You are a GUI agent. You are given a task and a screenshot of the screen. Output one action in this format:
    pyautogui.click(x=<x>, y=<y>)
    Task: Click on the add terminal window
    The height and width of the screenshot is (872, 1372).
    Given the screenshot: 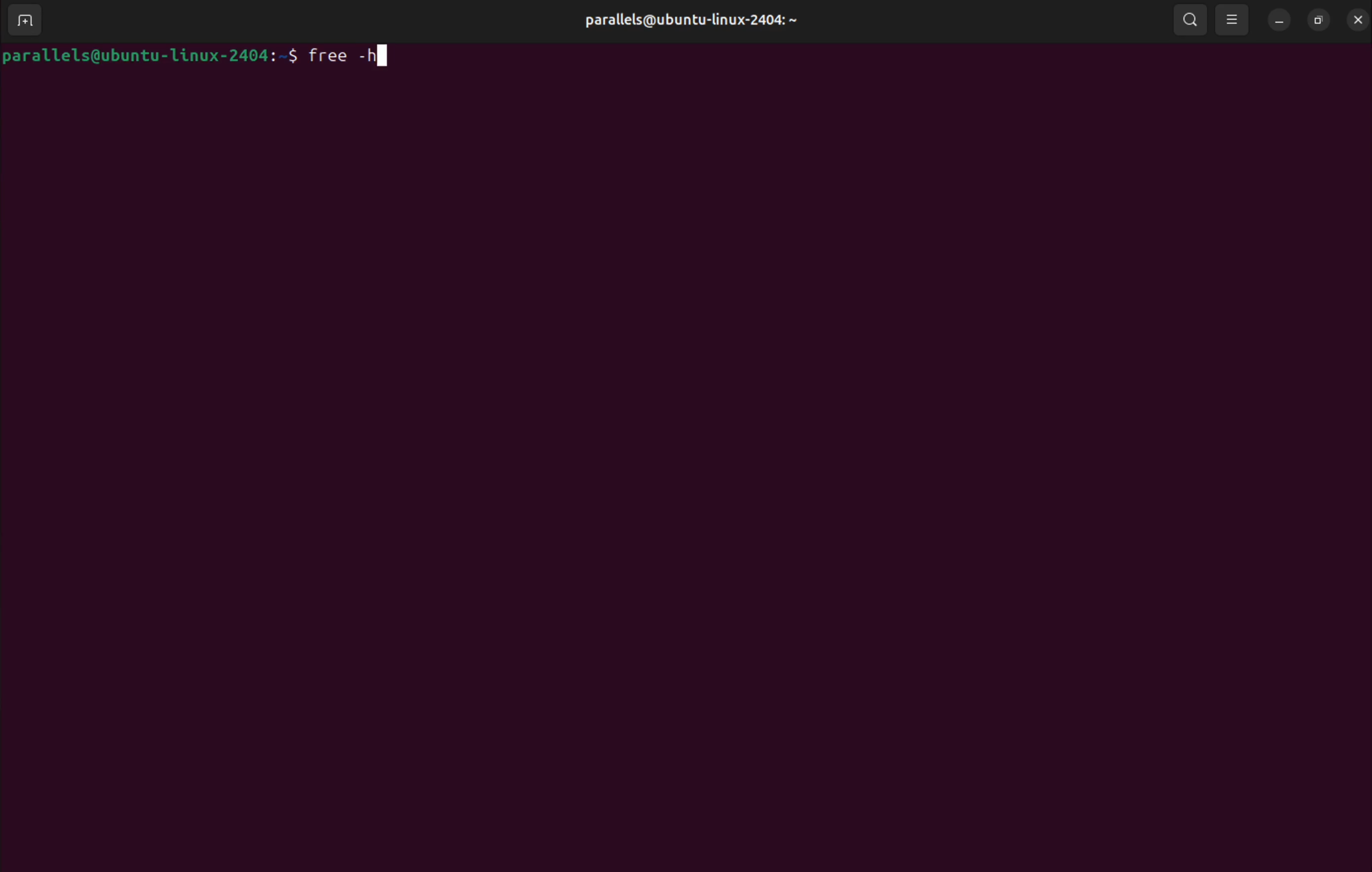 What is the action you would take?
    pyautogui.click(x=22, y=22)
    